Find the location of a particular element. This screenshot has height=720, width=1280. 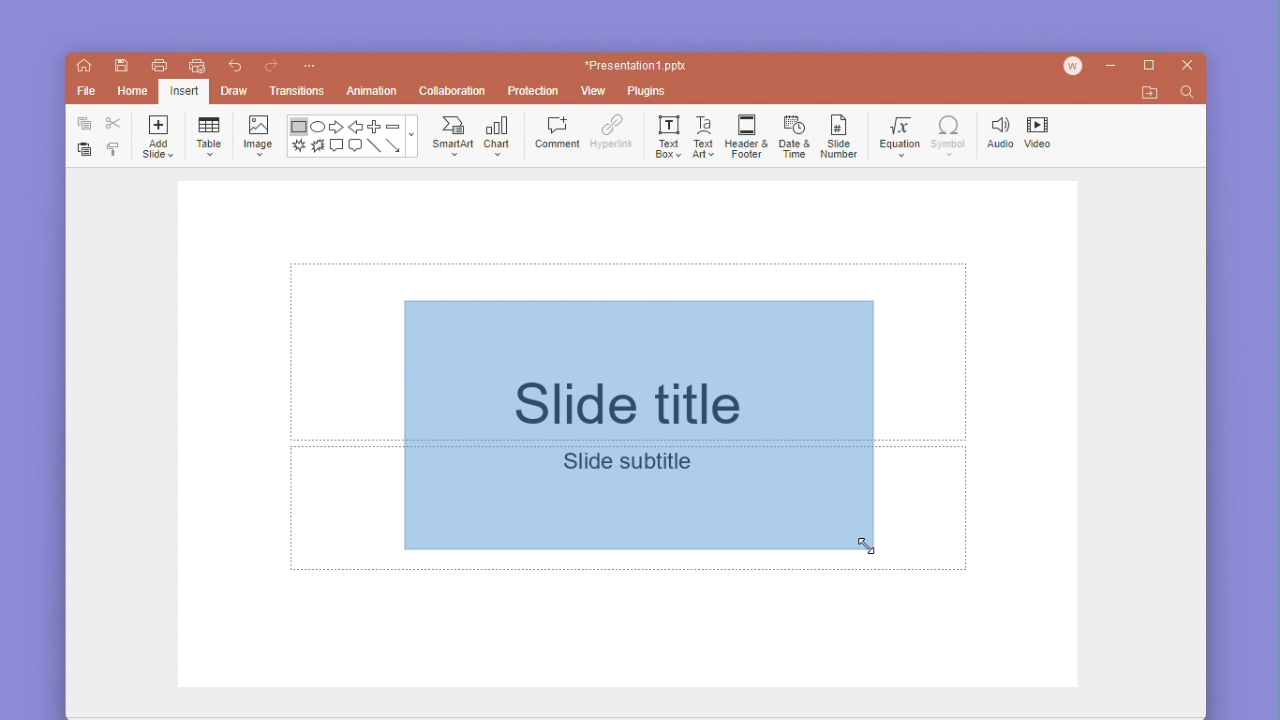

plugins is located at coordinates (652, 92).